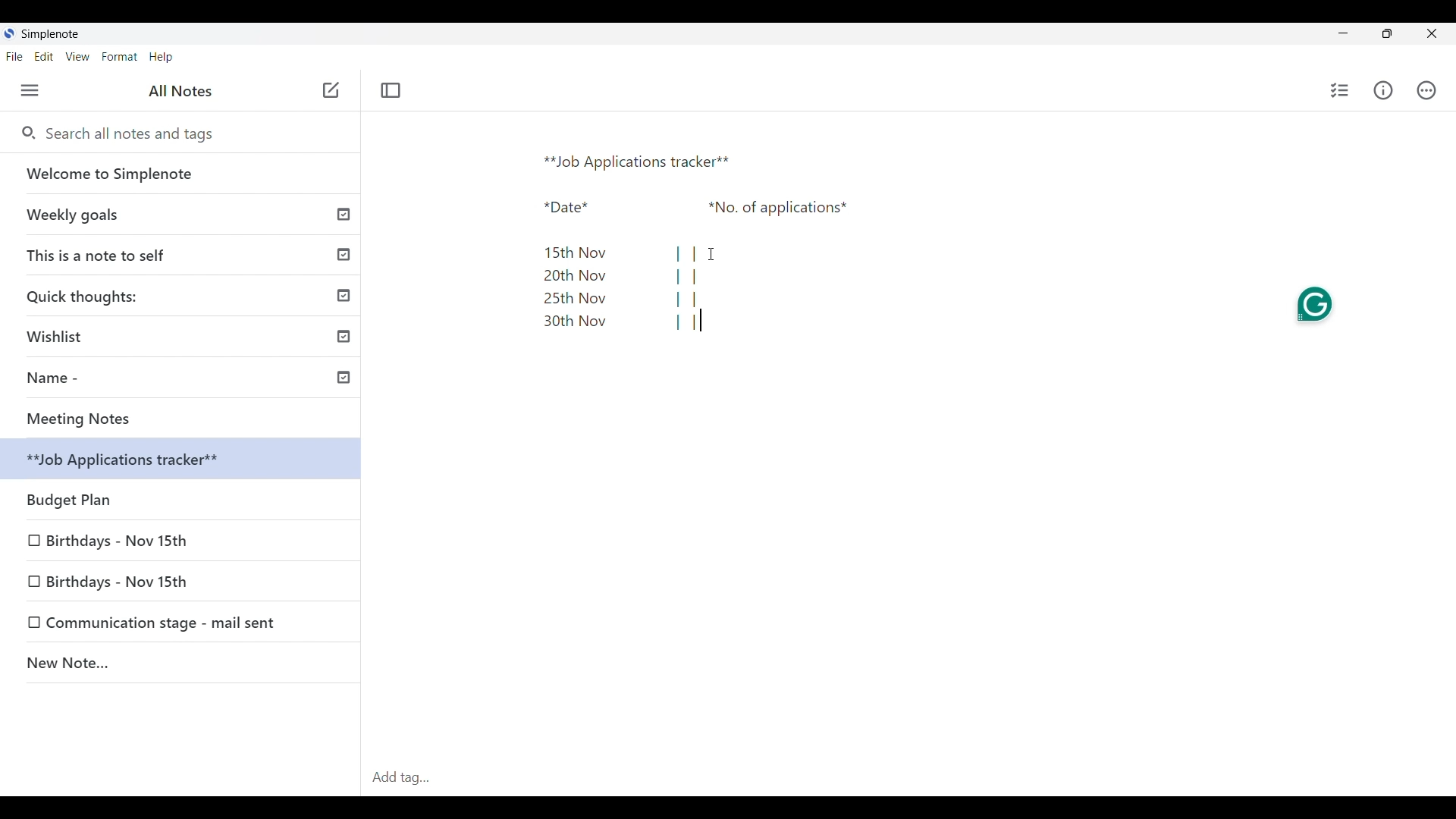 This screenshot has width=1456, height=819. Describe the element at coordinates (180, 90) in the screenshot. I see `All notes` at that location.